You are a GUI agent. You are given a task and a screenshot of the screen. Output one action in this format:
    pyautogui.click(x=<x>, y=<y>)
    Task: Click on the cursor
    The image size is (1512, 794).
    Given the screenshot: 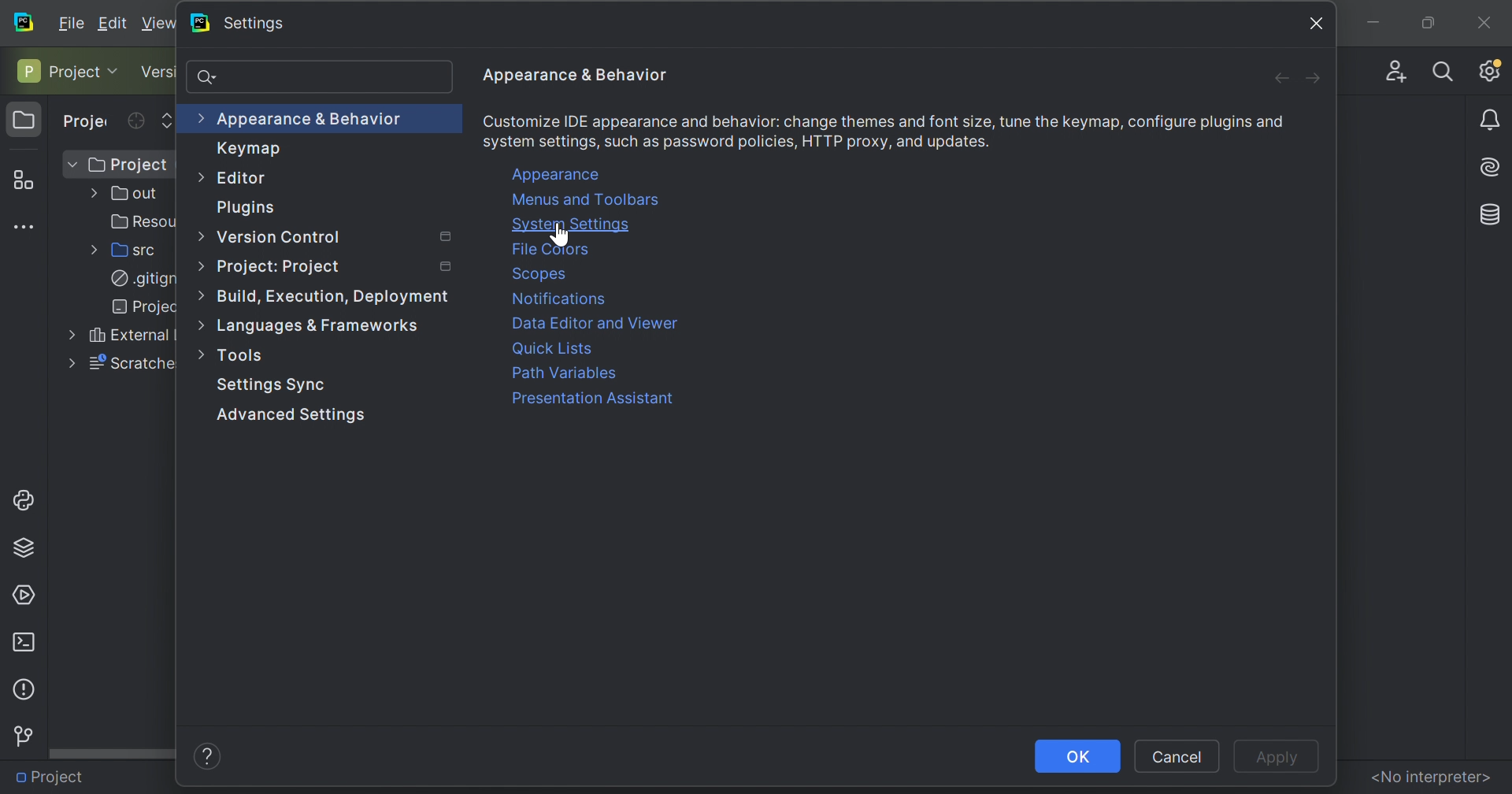 What is the action you would take?
    pyautogui.click(x=566, y=235)
    